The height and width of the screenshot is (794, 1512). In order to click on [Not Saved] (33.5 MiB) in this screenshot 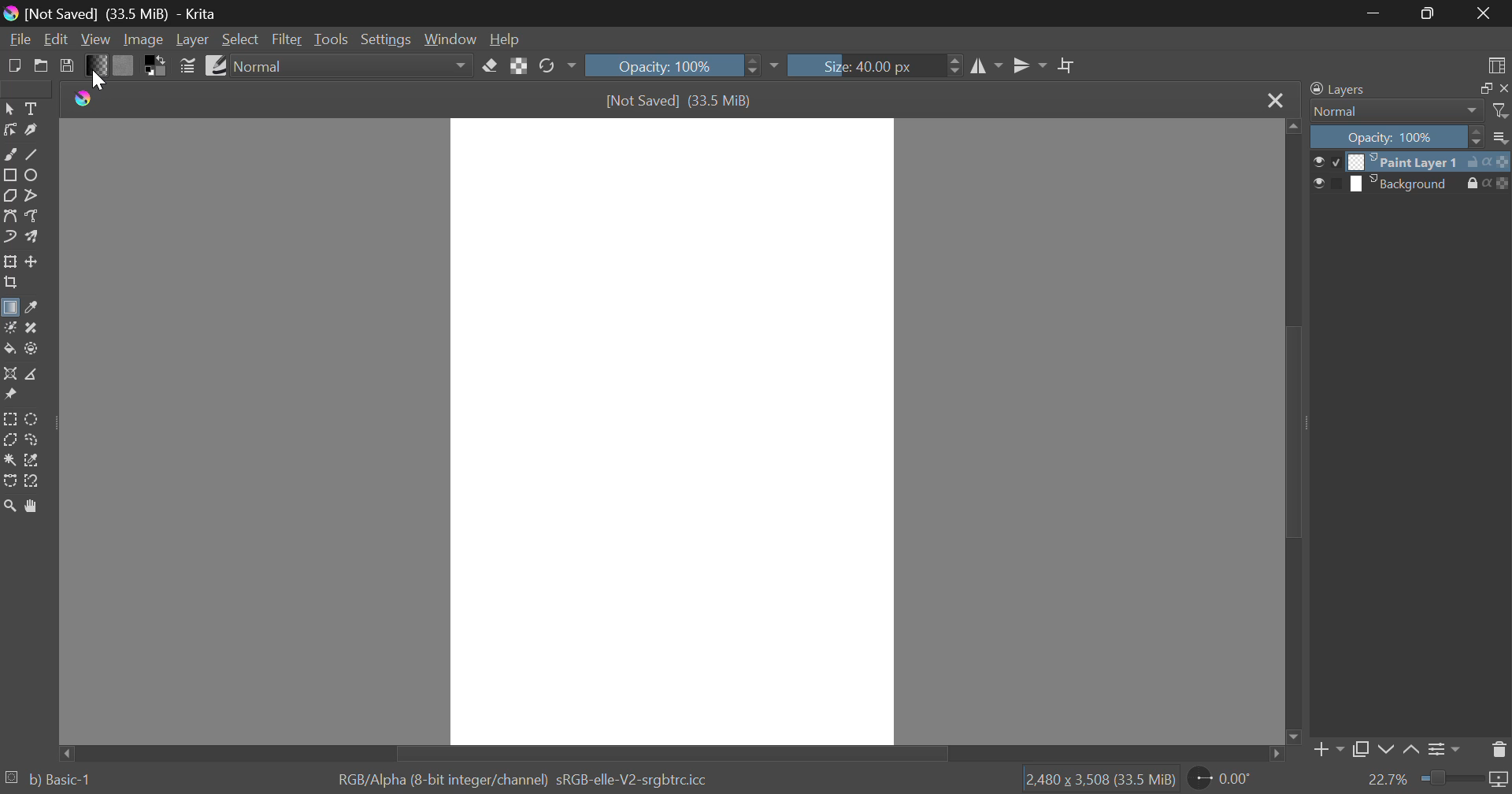, I will do `click(680, 101)`.